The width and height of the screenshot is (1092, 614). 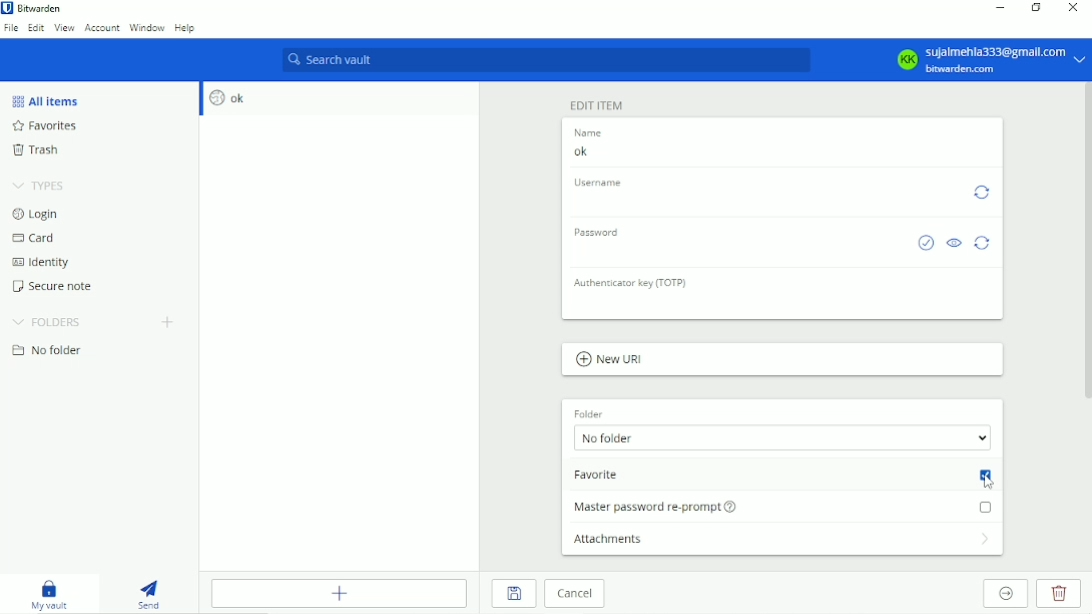 I want to click on Delete, so click(x=1059, y=594).